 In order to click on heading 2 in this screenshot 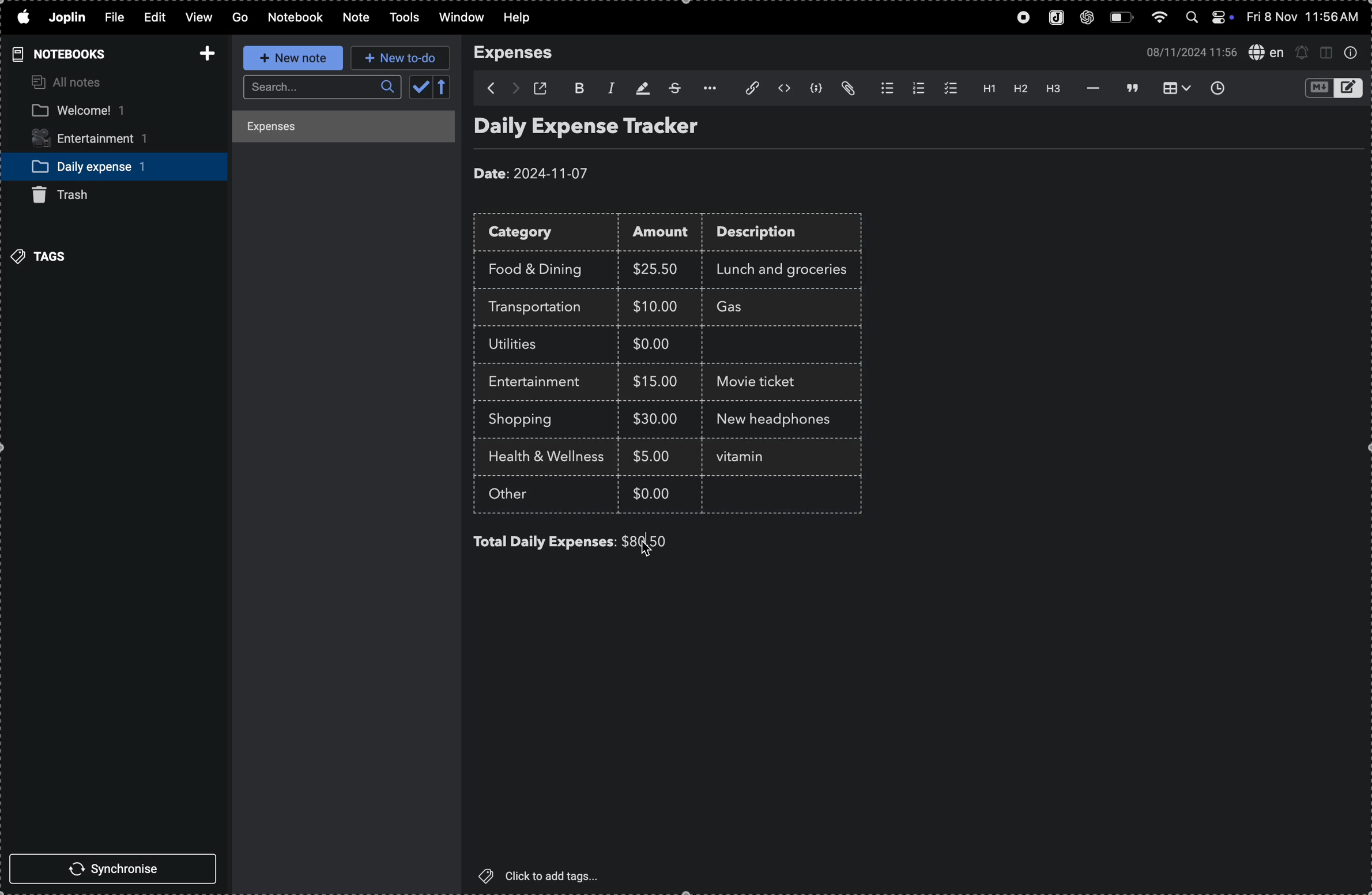, I will do `click(1020, 91)`.